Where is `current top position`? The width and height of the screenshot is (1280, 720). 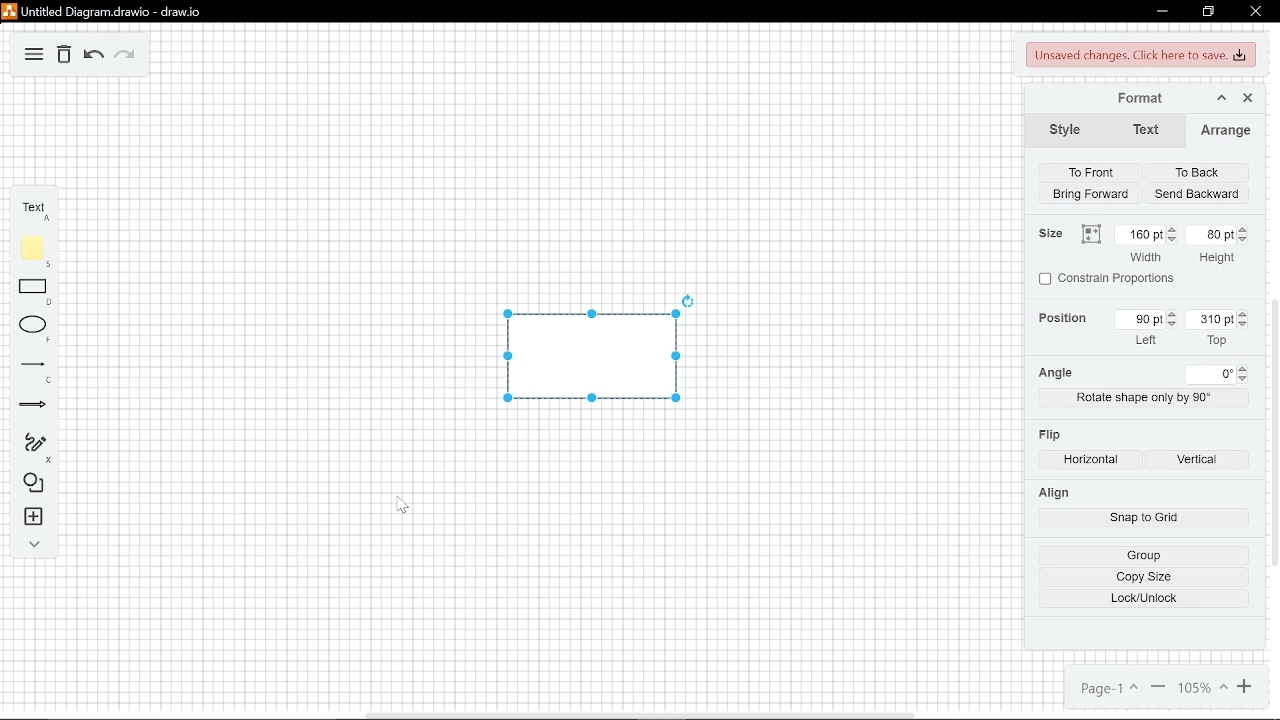
current top position is located at coordinates (1208, 321).